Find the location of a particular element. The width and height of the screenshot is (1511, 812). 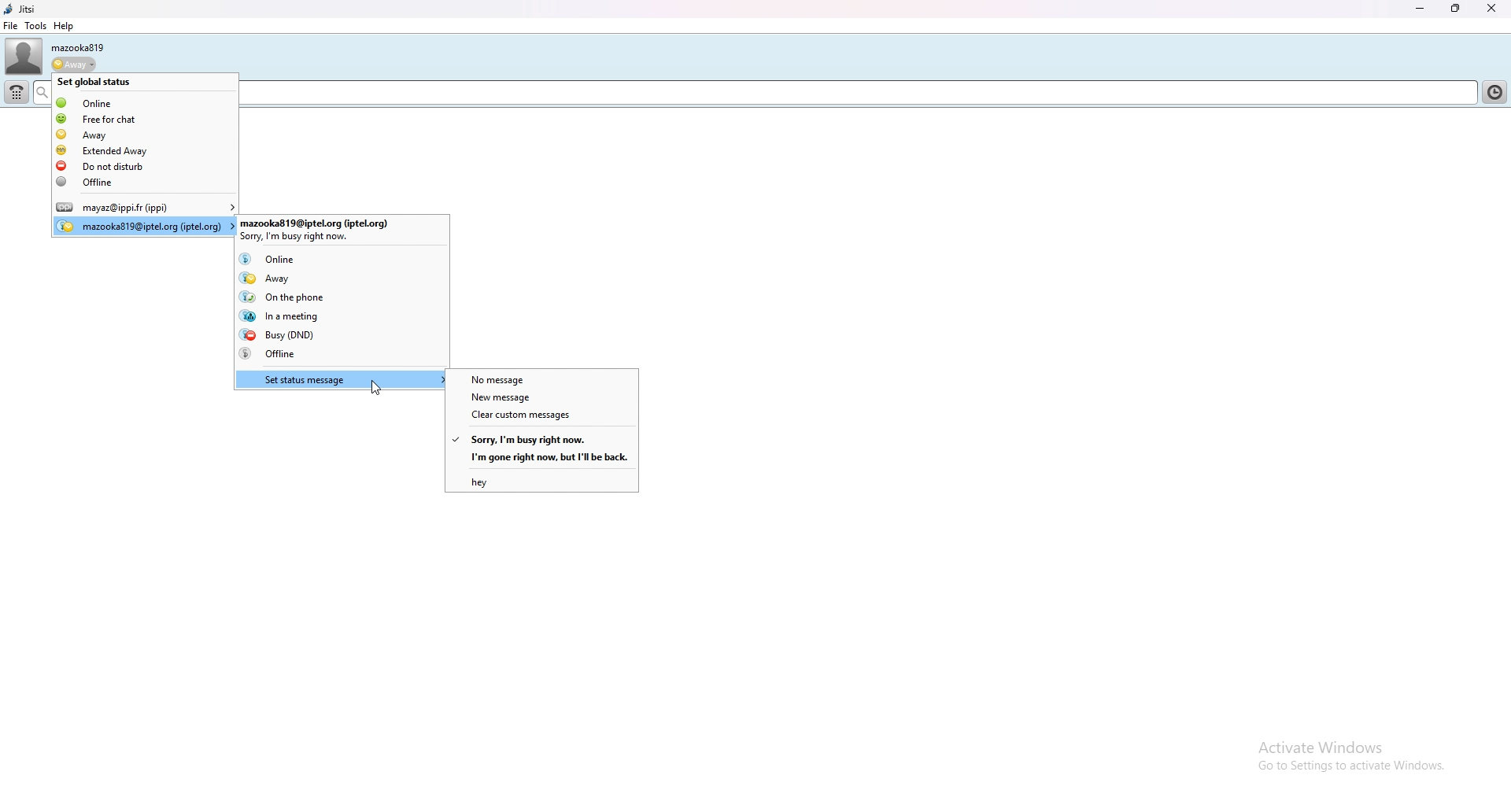

active windows go to settings to achieve windows is located at coordinates (1335, 758).